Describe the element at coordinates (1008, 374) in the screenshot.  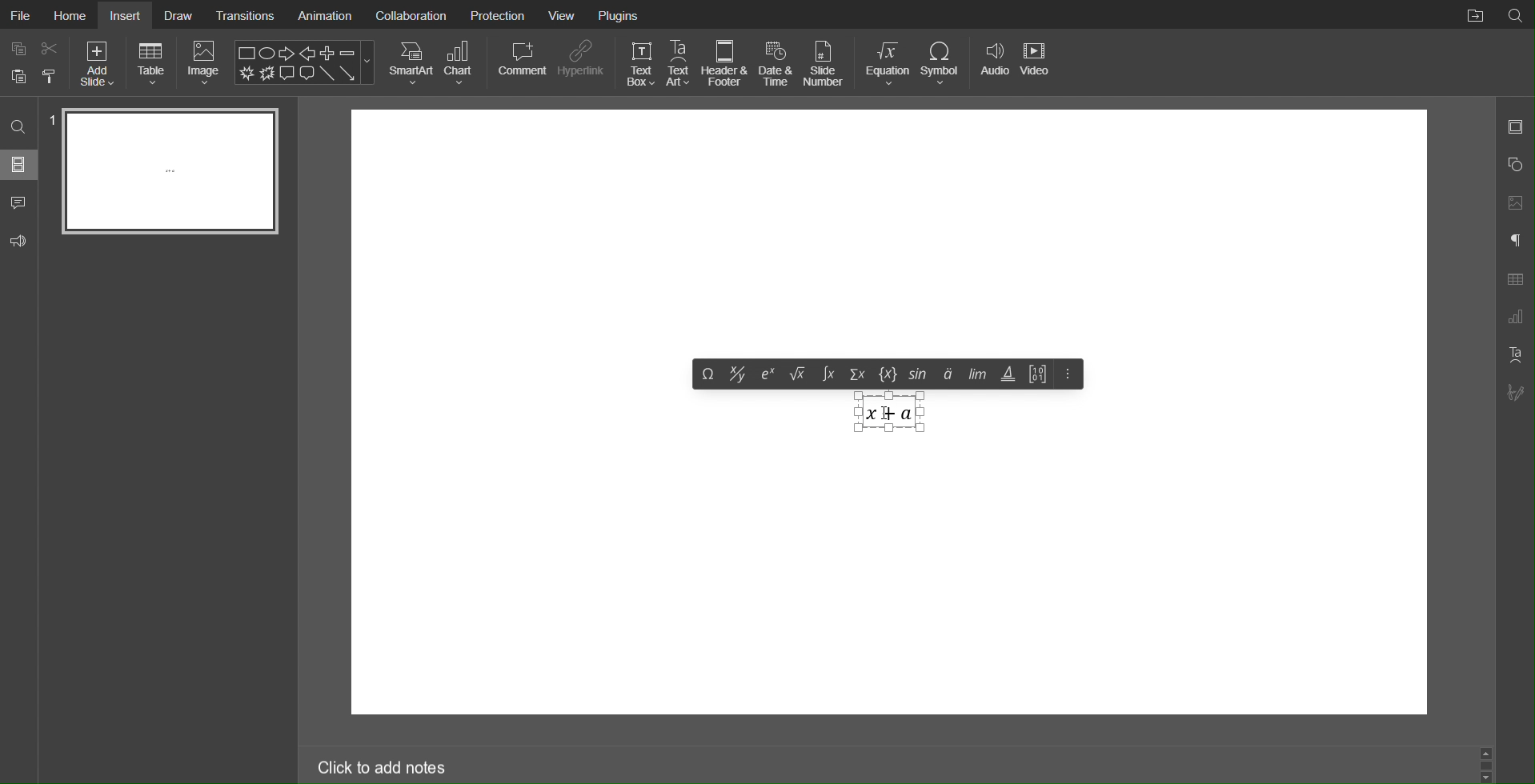
I see `Trig` at that location.